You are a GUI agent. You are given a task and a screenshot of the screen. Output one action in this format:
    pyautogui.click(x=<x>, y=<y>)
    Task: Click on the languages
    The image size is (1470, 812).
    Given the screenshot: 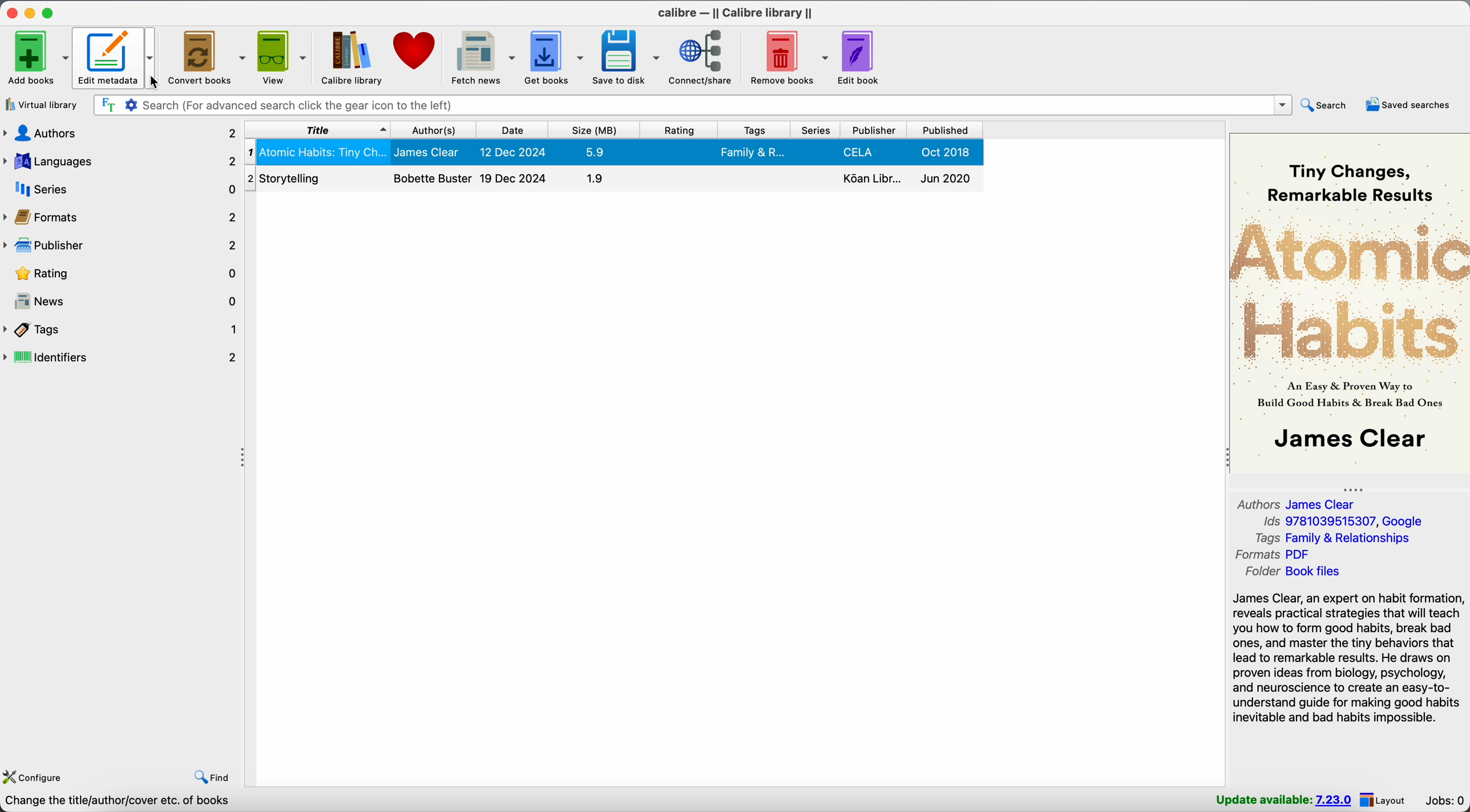 What is the action you would take?
    pyautogui.click(x=122, y=161)
    